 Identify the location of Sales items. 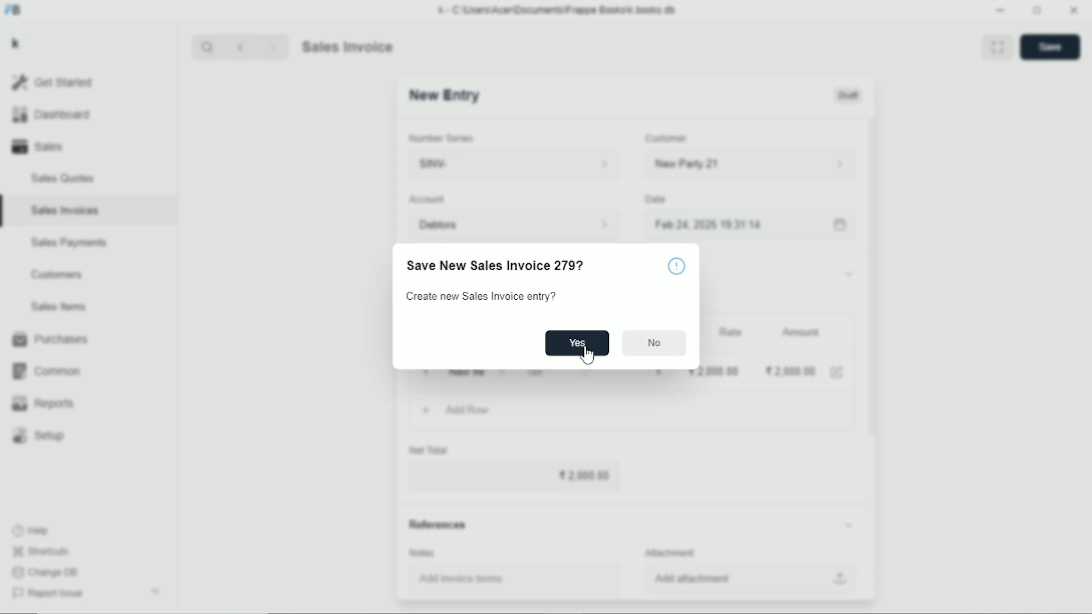
(58, 307).